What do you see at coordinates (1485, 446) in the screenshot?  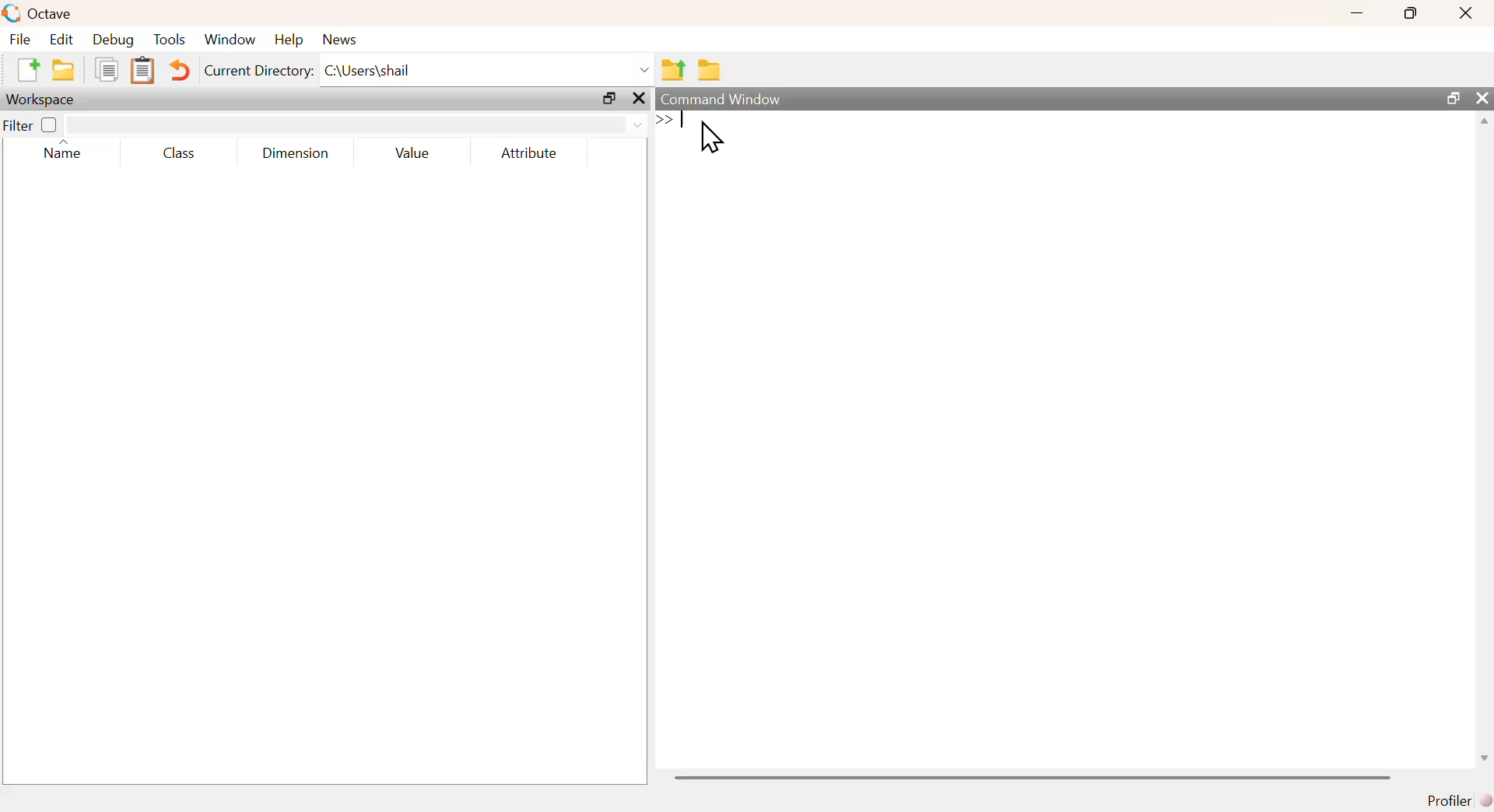 I see `scrollbar` at bounding box center [1485, 446].